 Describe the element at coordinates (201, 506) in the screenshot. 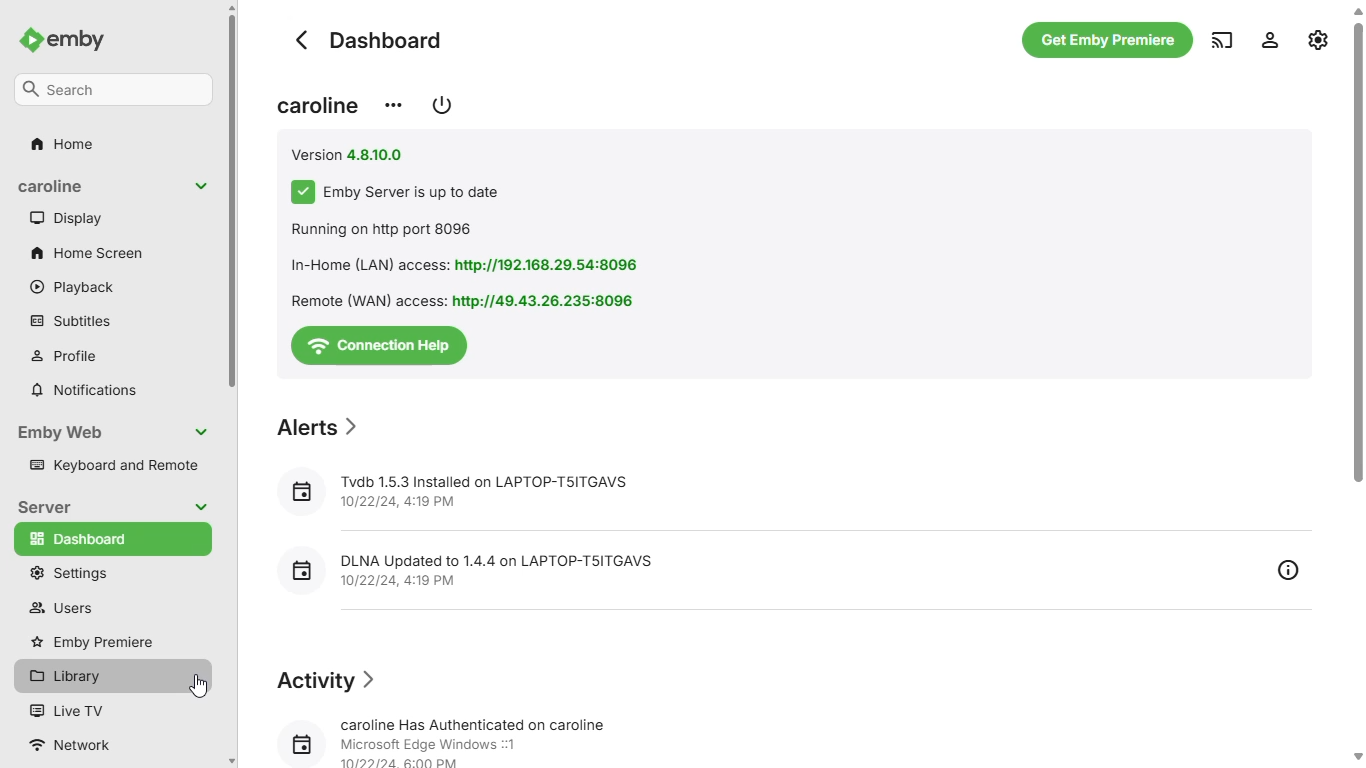

I see `toggle collapse` at that location.